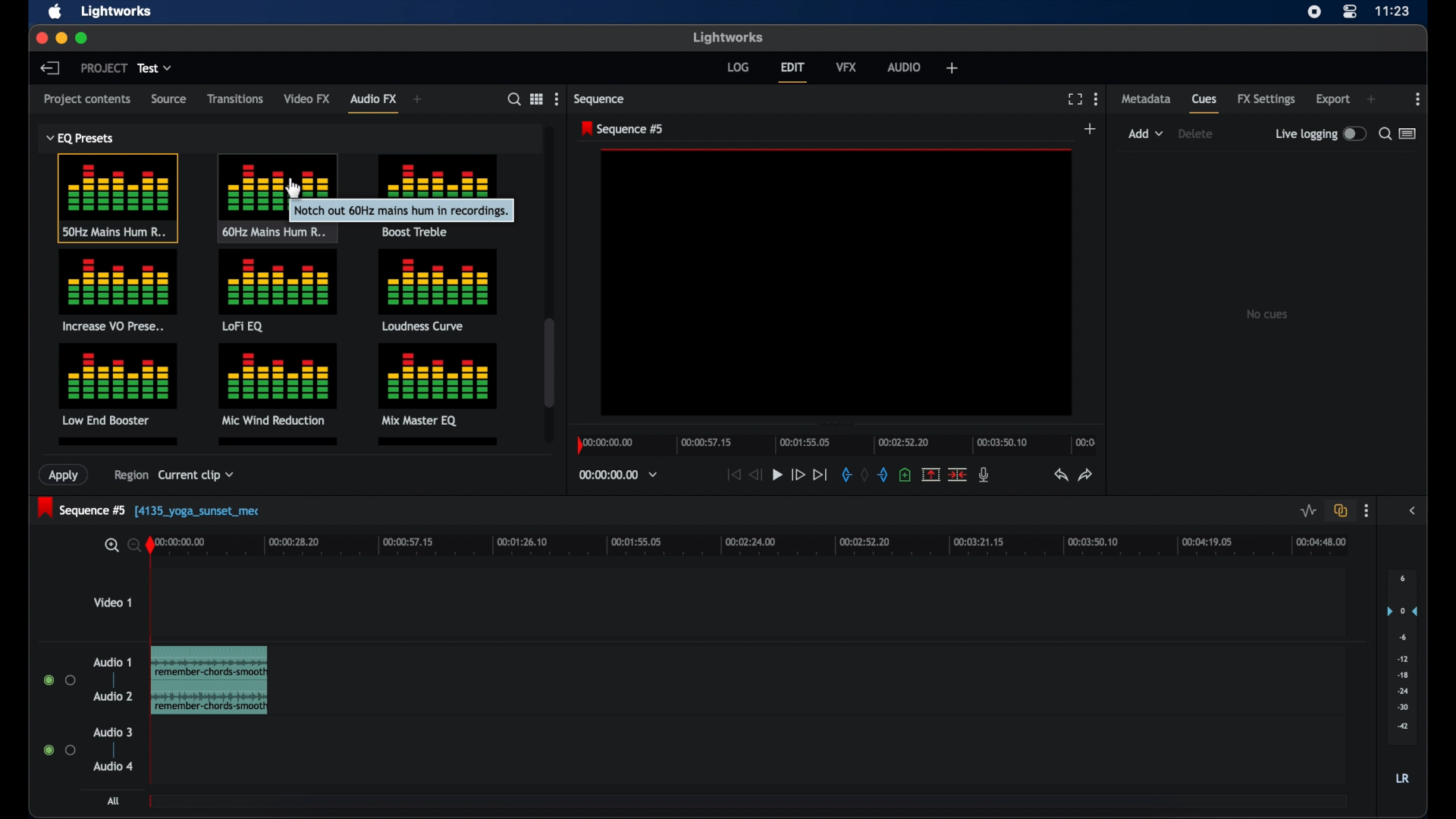  Describe the element at coordinates (1319, 133) in the screenshot. I see `live logging` at that location.